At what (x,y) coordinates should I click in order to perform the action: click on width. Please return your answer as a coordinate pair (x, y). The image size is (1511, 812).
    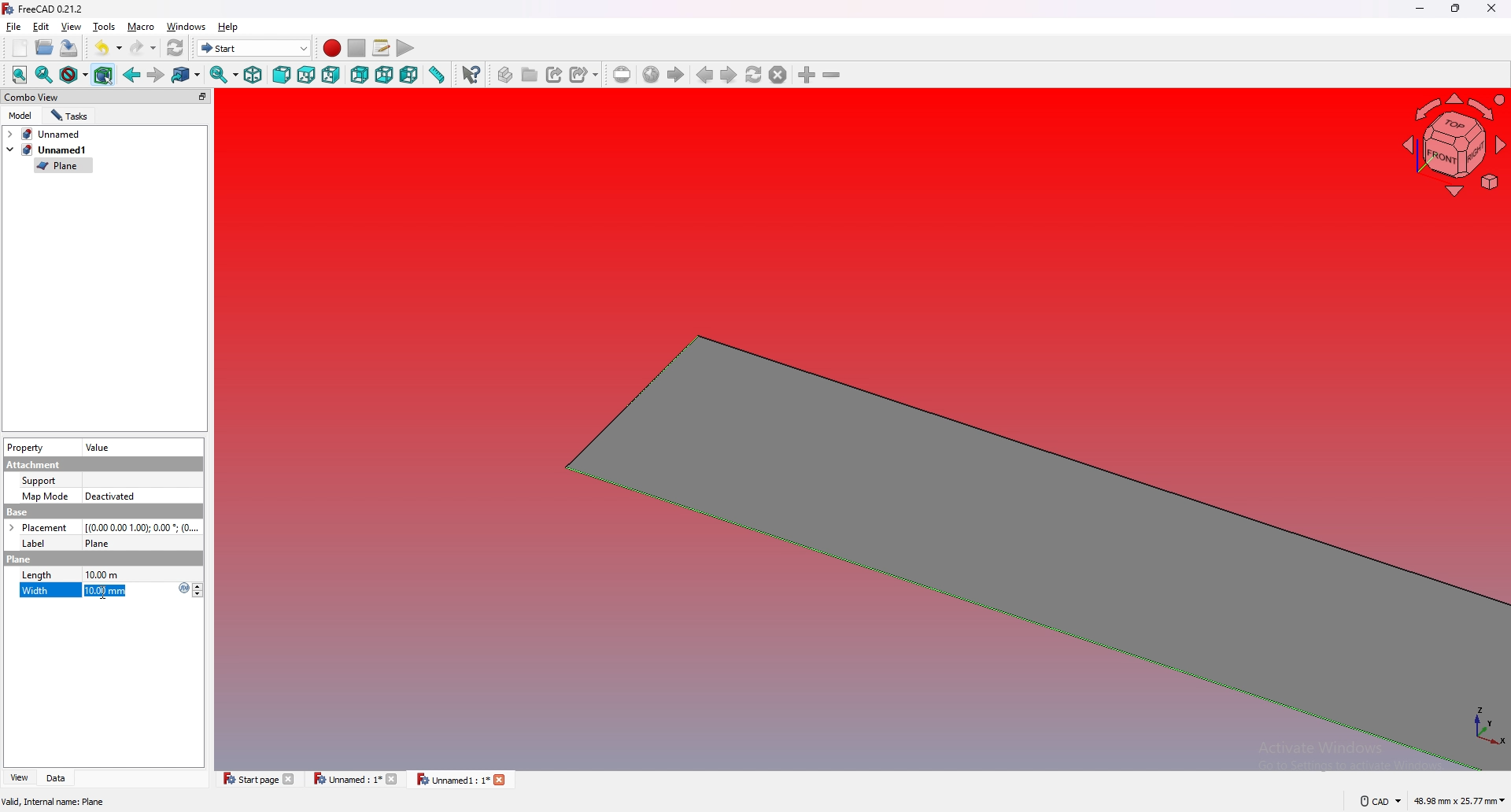
    Looking at the image, I should click on (35, 592).